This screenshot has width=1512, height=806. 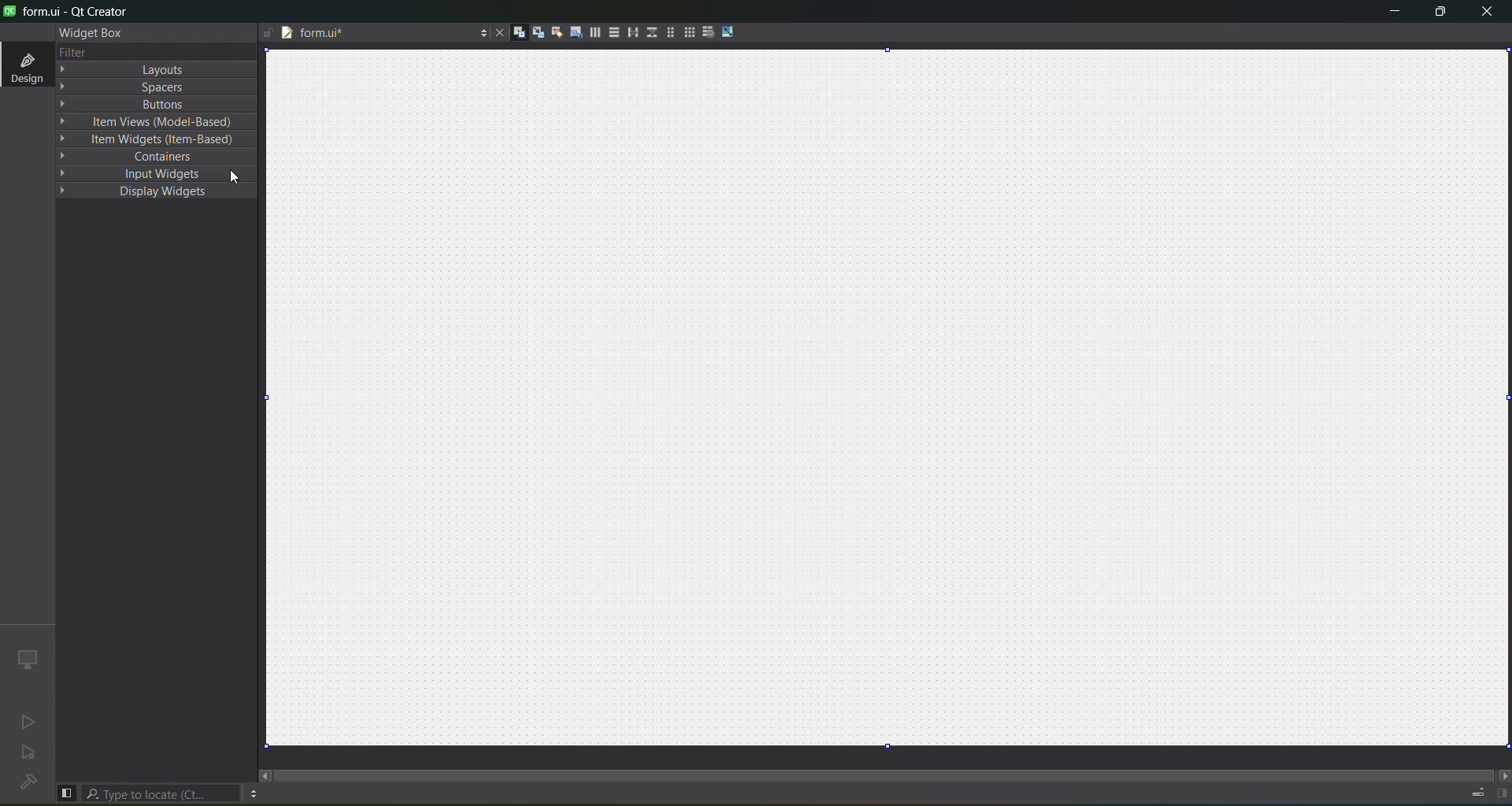 What do you see at coordinates (135, 87) in the screenshot?
I see `spaces` at bounding box center [135, 87].